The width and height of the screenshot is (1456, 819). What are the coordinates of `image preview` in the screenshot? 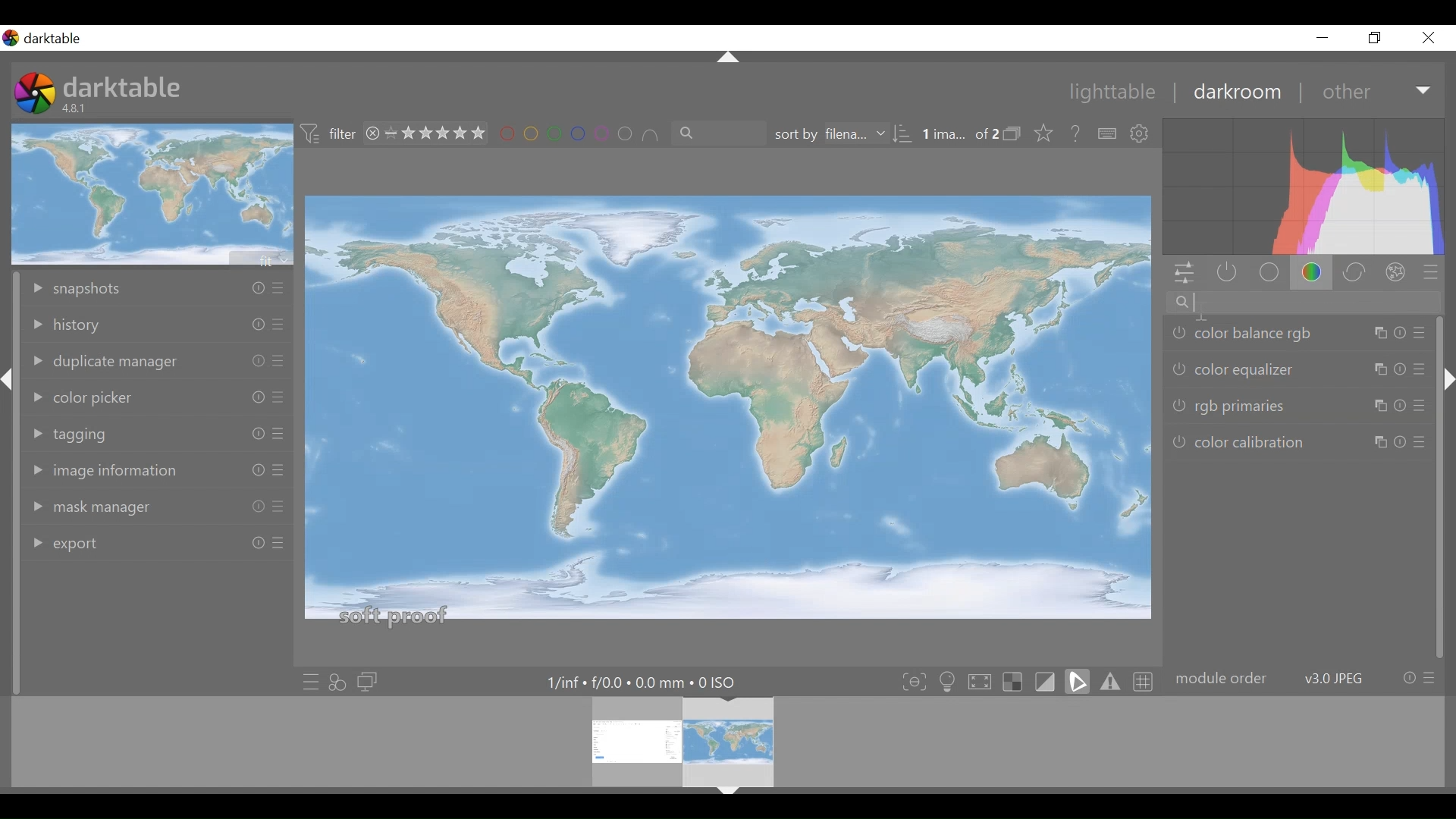 It's located at (154, 193).